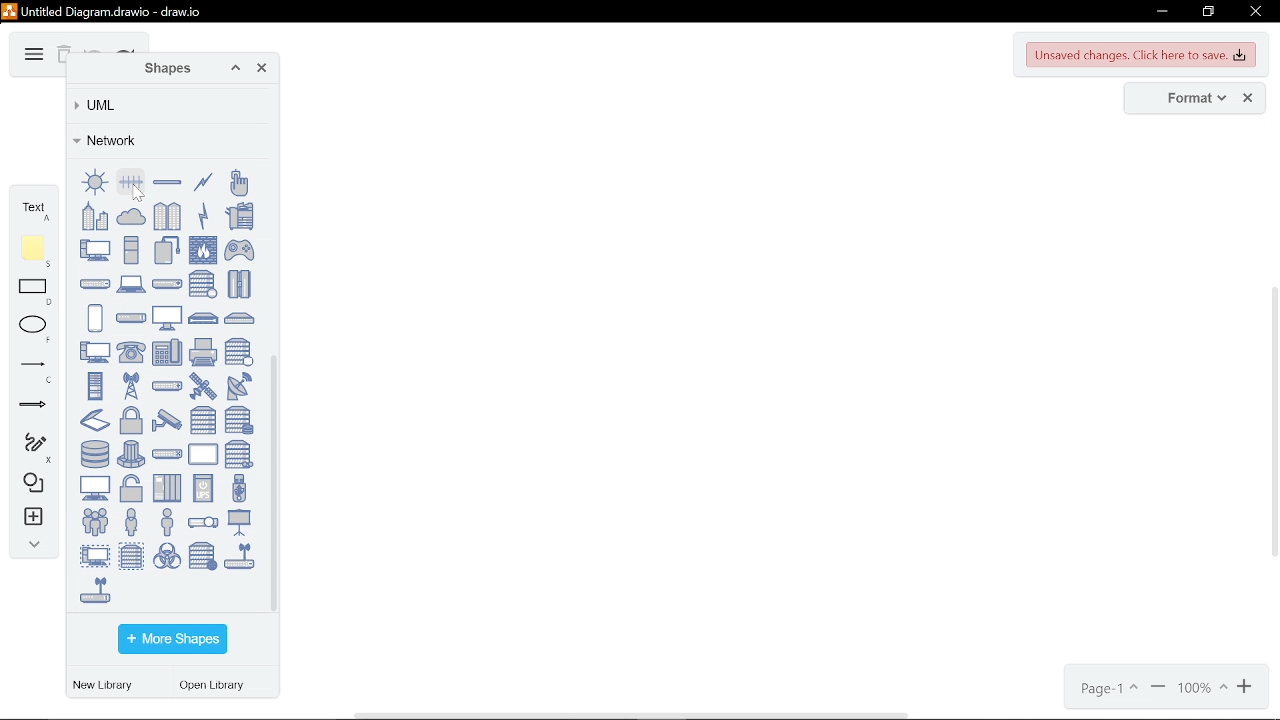 This screenshot has height=720, width=1280. Describe the element at coordinates (30, 484) in the screenshot. I see `shapes` at that location.